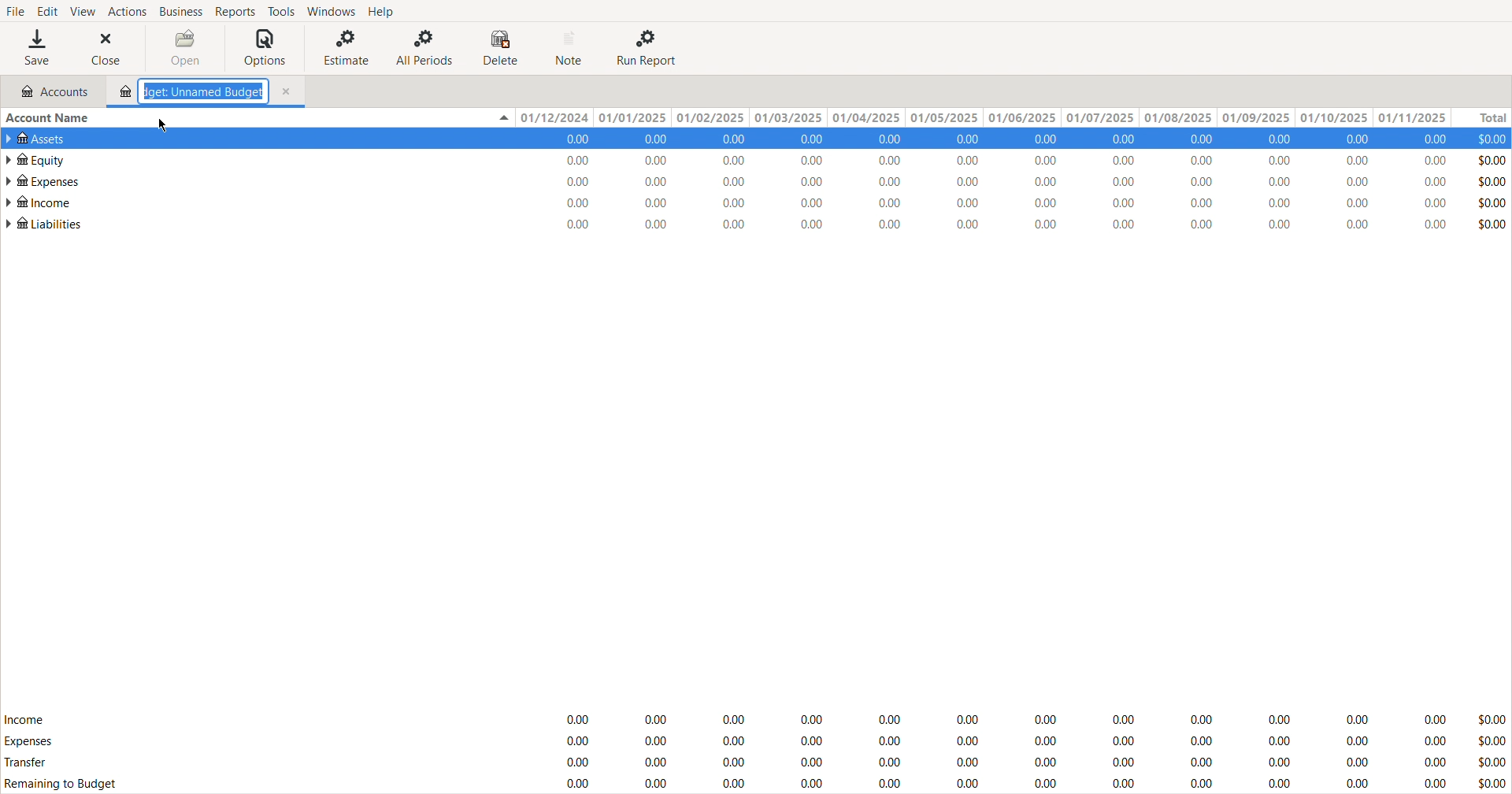 This screenshot has height=794, width=1512. I want to click on Close, so click(110, 48).